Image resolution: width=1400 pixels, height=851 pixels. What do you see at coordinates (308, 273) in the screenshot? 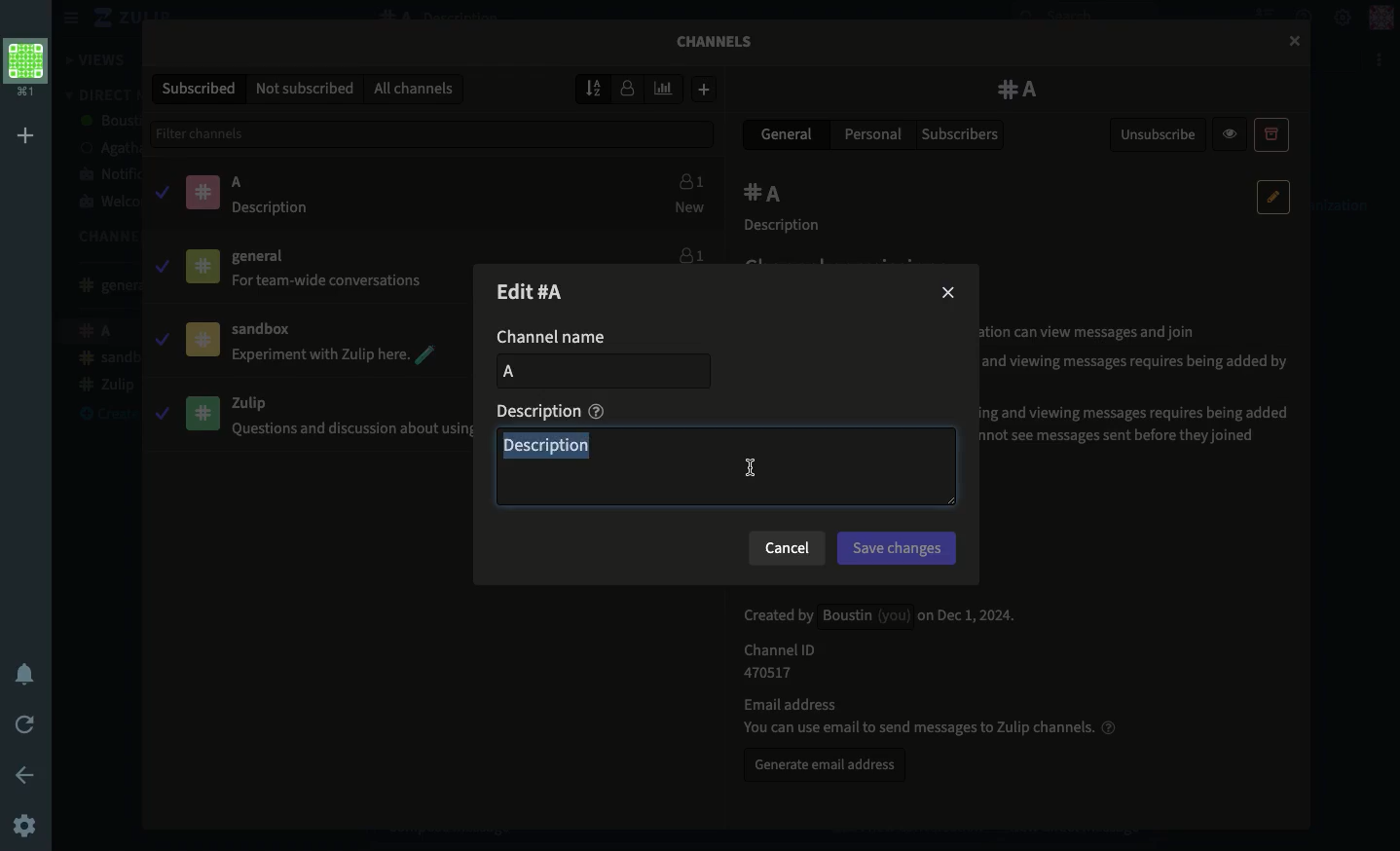
I see `General` at bounding box center [308, 273].